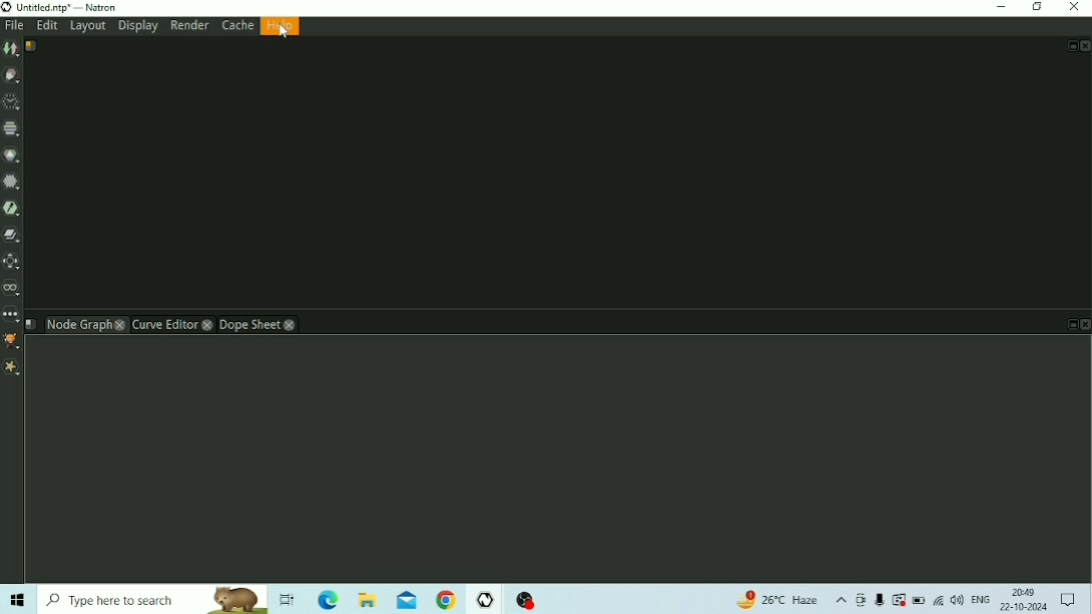  What do you see at coordinates (32, 325) in the screenshot?
I see `Script name` at bounding box center [32, 325].